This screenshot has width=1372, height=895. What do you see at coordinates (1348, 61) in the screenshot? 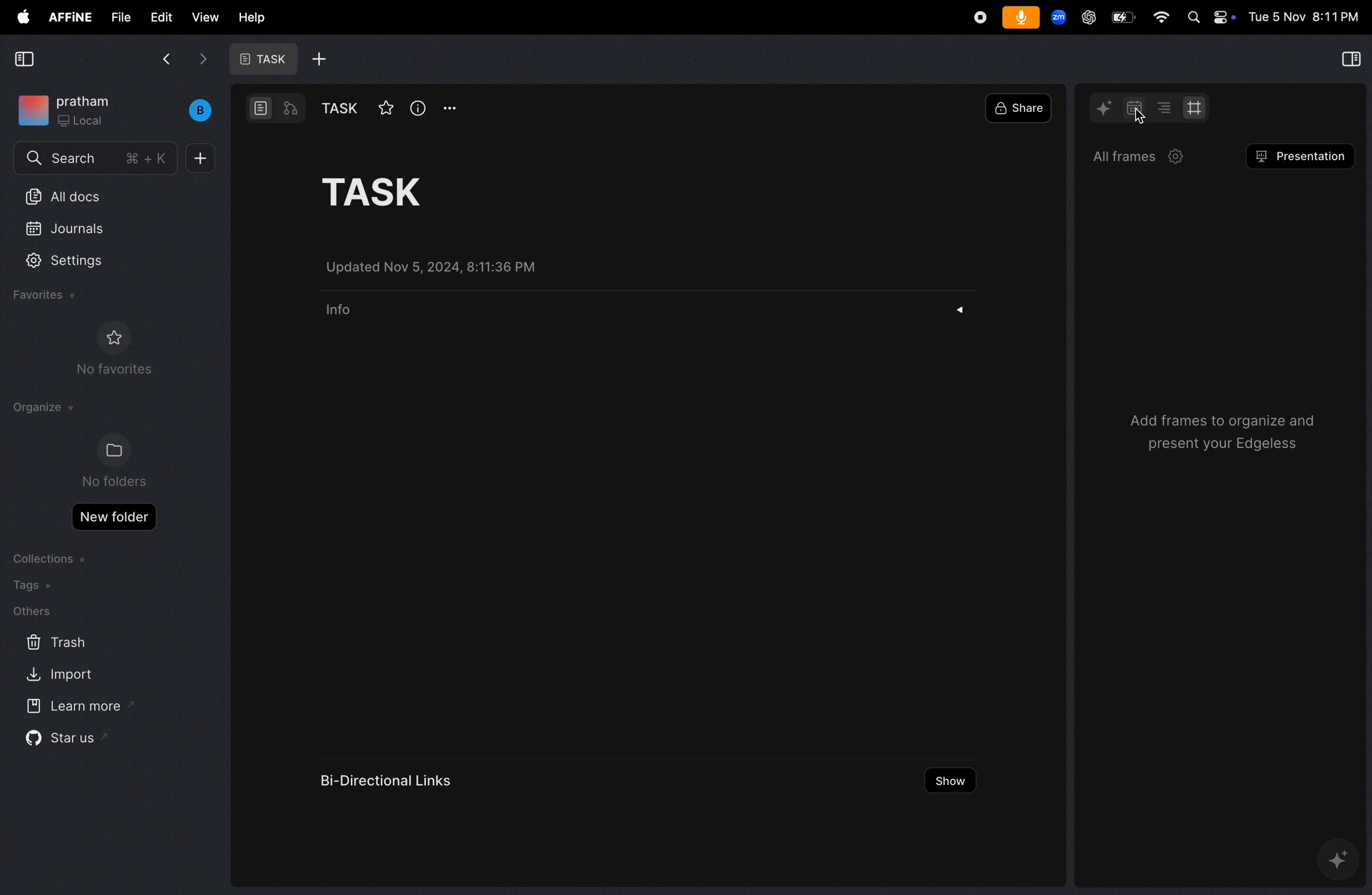
I see `side bar` at bounding box center [1348, 61].